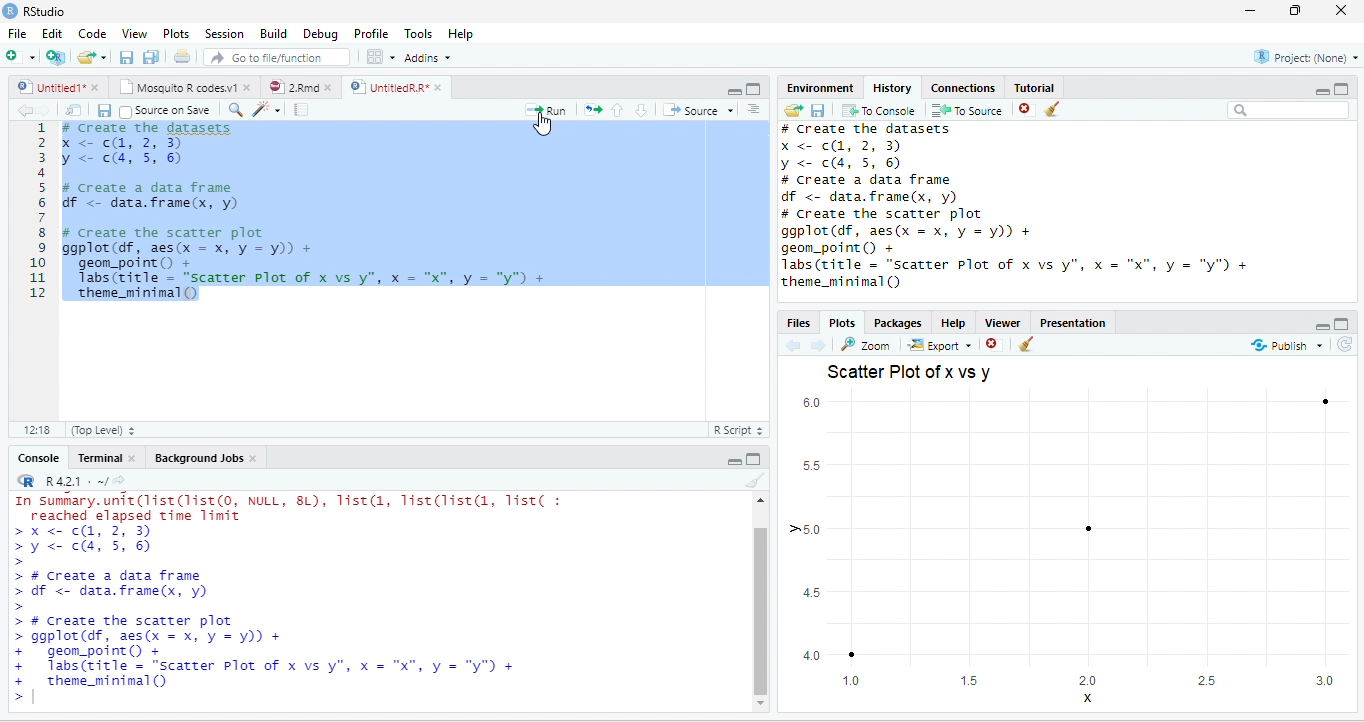  I want to click on Environment, so click(820, 88).